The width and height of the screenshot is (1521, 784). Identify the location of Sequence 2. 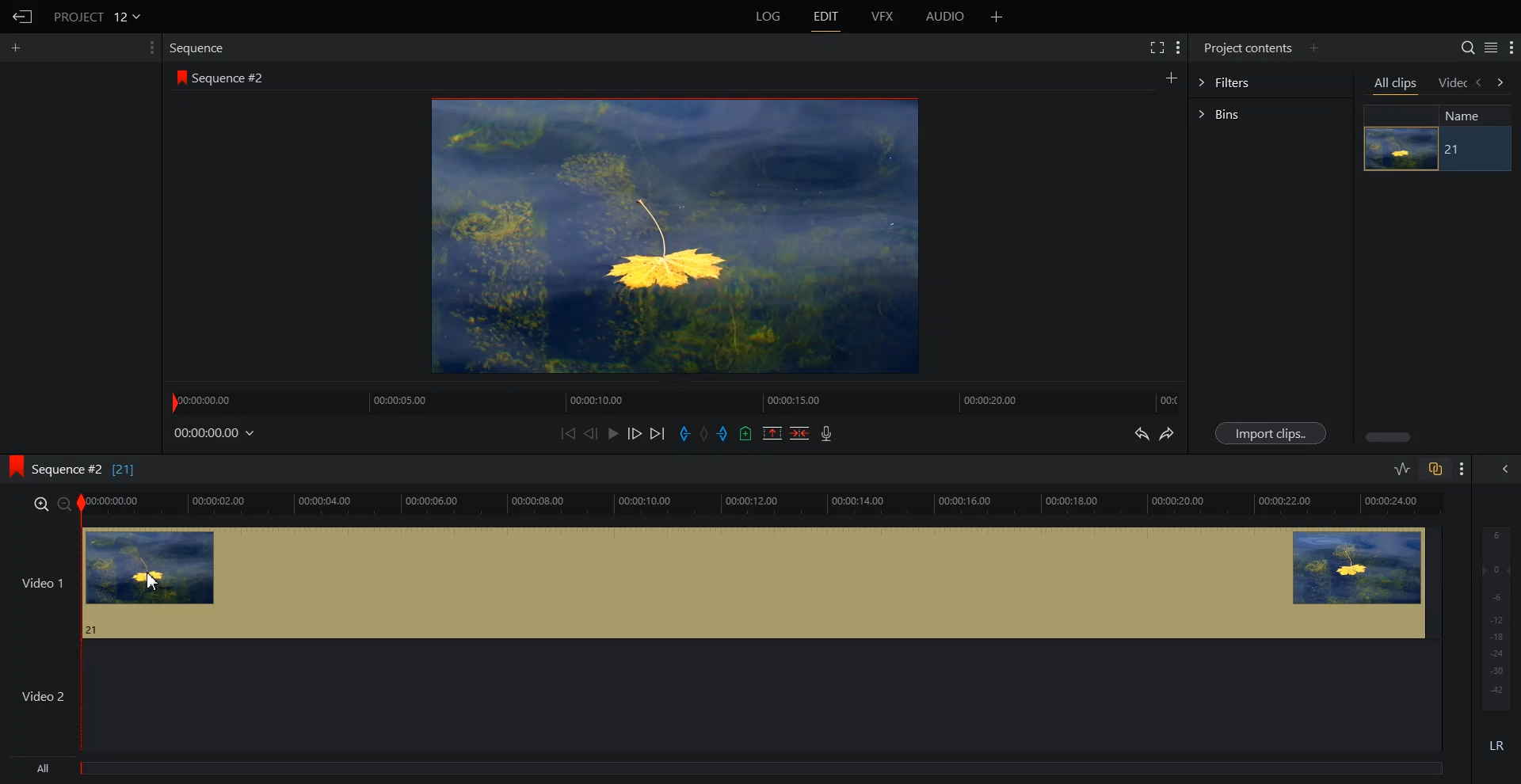
(229, 78).